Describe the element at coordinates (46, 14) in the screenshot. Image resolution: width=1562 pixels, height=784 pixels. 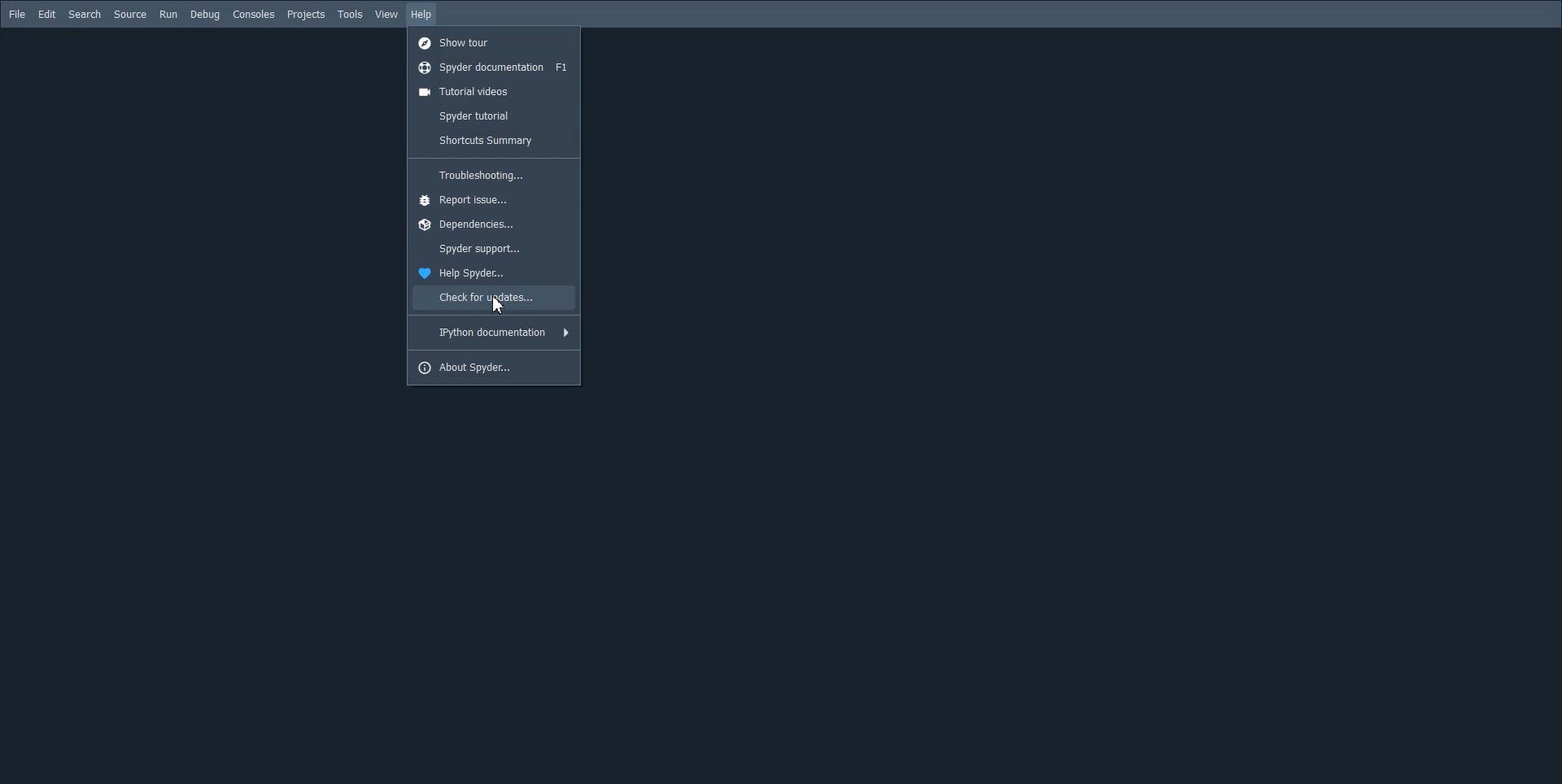
I see `Edit` at that location.